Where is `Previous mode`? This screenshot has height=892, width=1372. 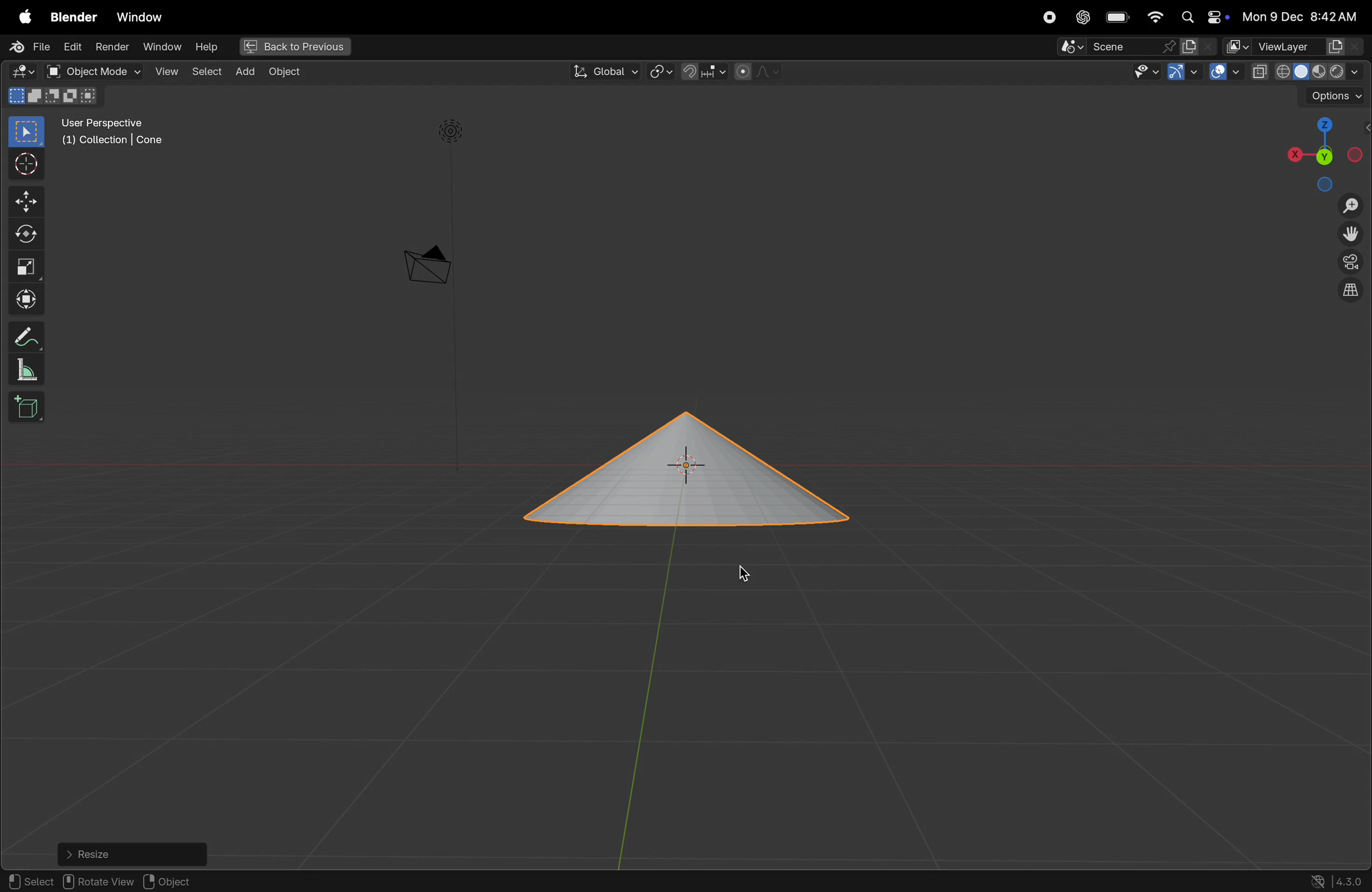
Previous mode is located at coordinates (1169, 882).